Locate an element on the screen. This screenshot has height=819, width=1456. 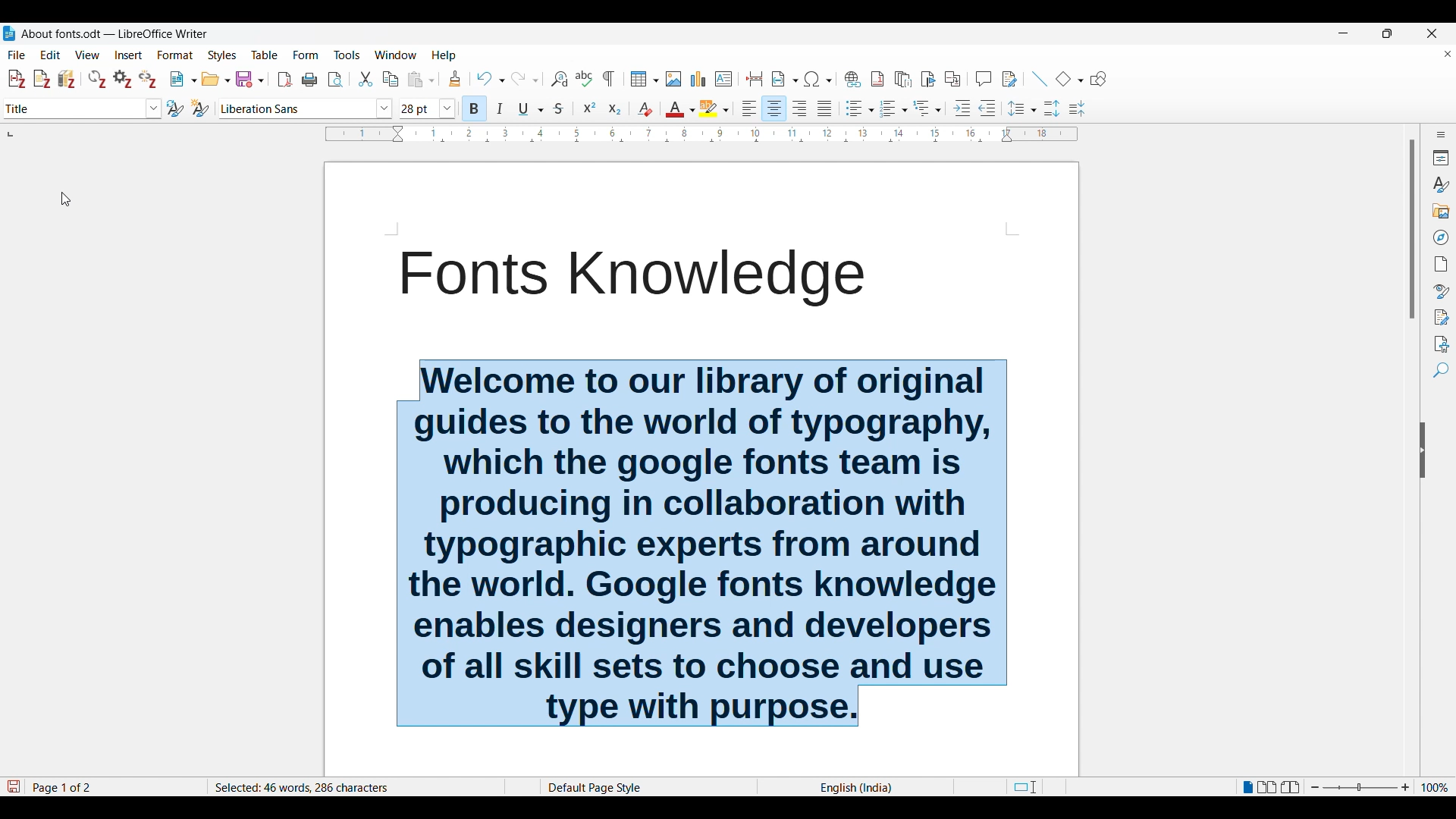
Software logo is located at coordinates (9, 33).